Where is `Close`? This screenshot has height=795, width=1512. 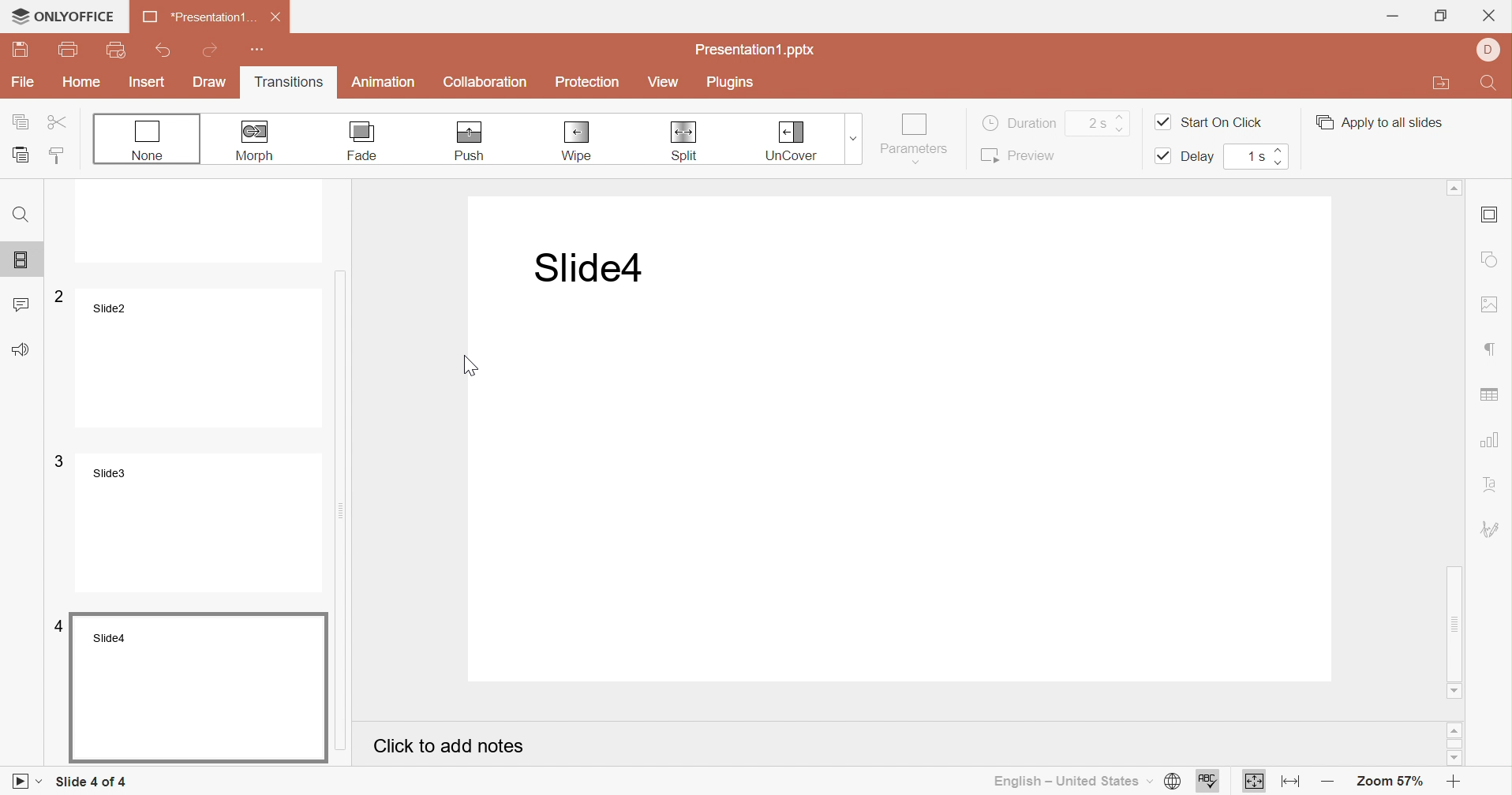
Close is located at coordinates (1489, 15).